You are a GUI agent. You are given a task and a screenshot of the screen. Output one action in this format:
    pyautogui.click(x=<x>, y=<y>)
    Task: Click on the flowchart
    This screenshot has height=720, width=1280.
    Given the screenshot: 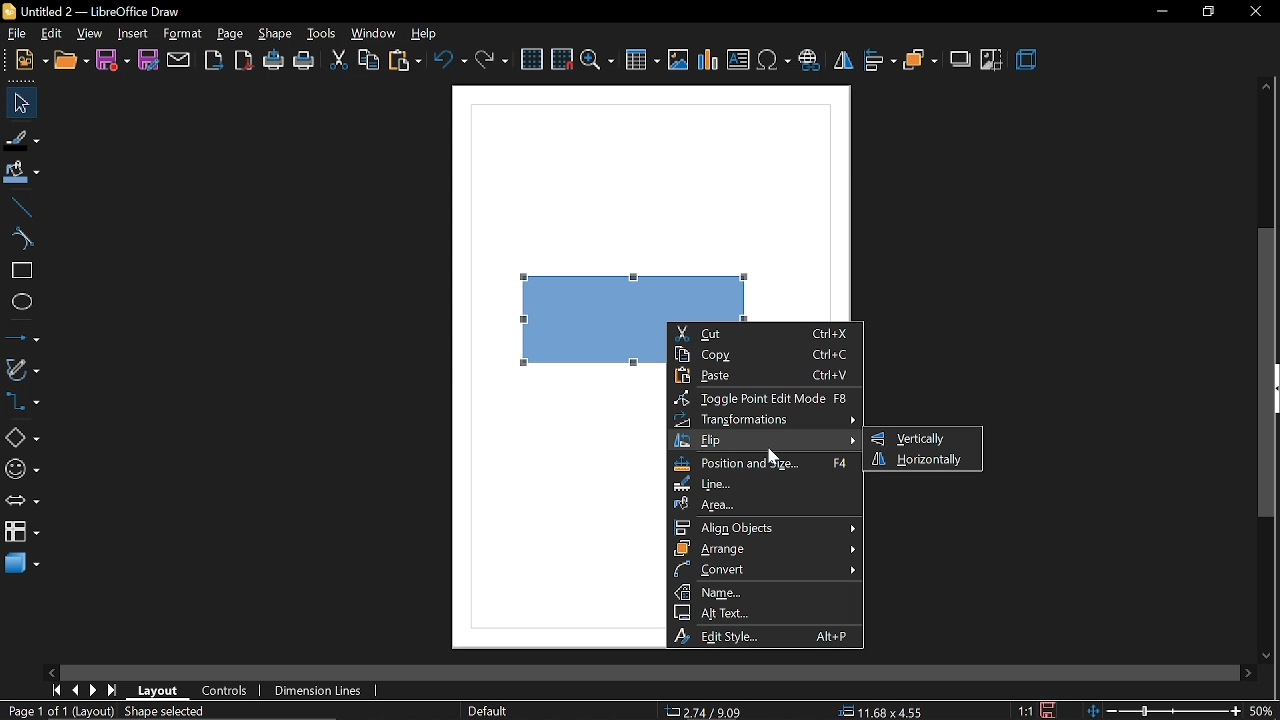 What is the action you would take?
    pyautogui.click(x=21, y=531)
    